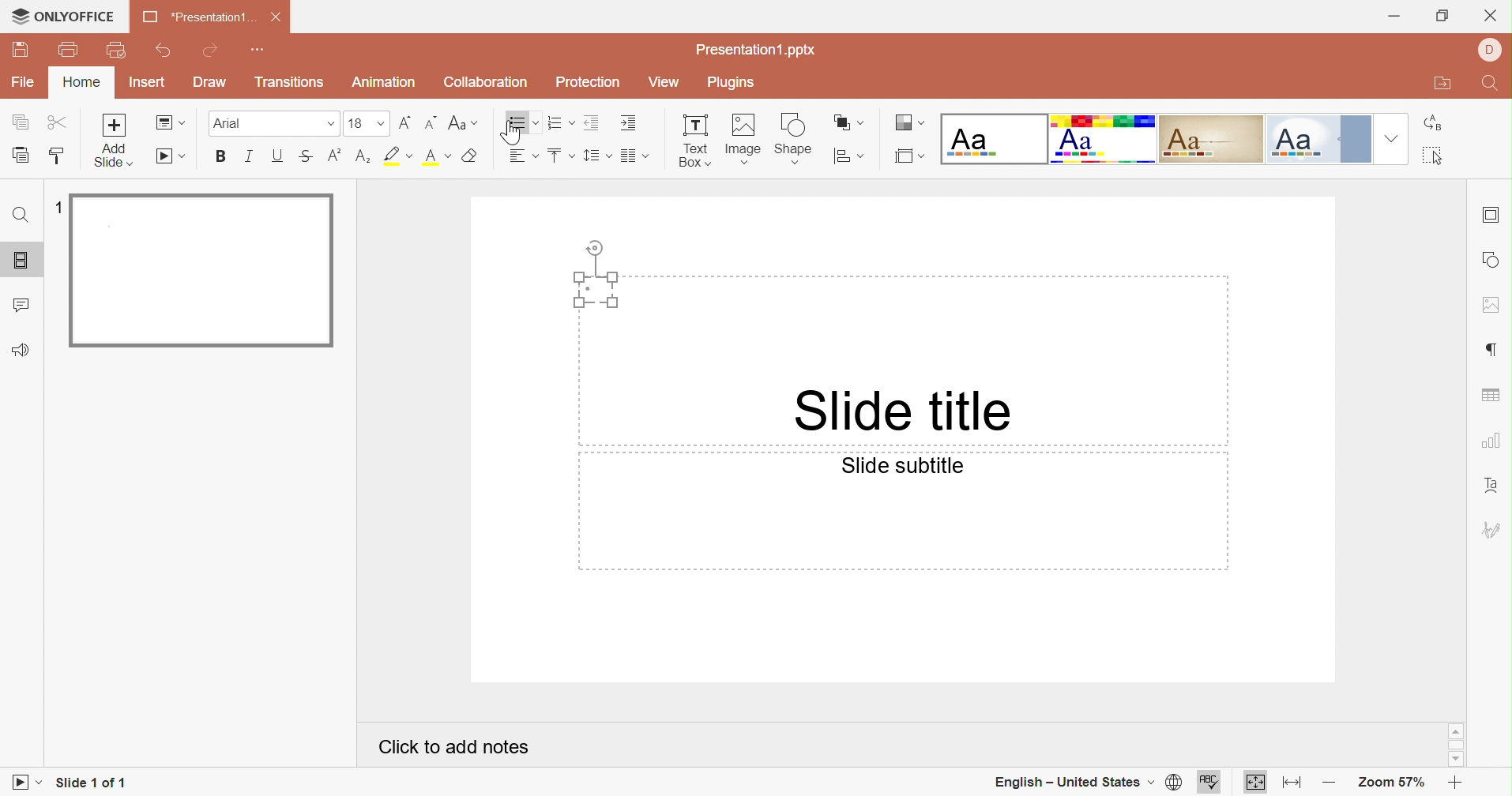 Image resolution: width=1512 pixels, height=796 pixels. I want to click on Official, so click(1318, 138).